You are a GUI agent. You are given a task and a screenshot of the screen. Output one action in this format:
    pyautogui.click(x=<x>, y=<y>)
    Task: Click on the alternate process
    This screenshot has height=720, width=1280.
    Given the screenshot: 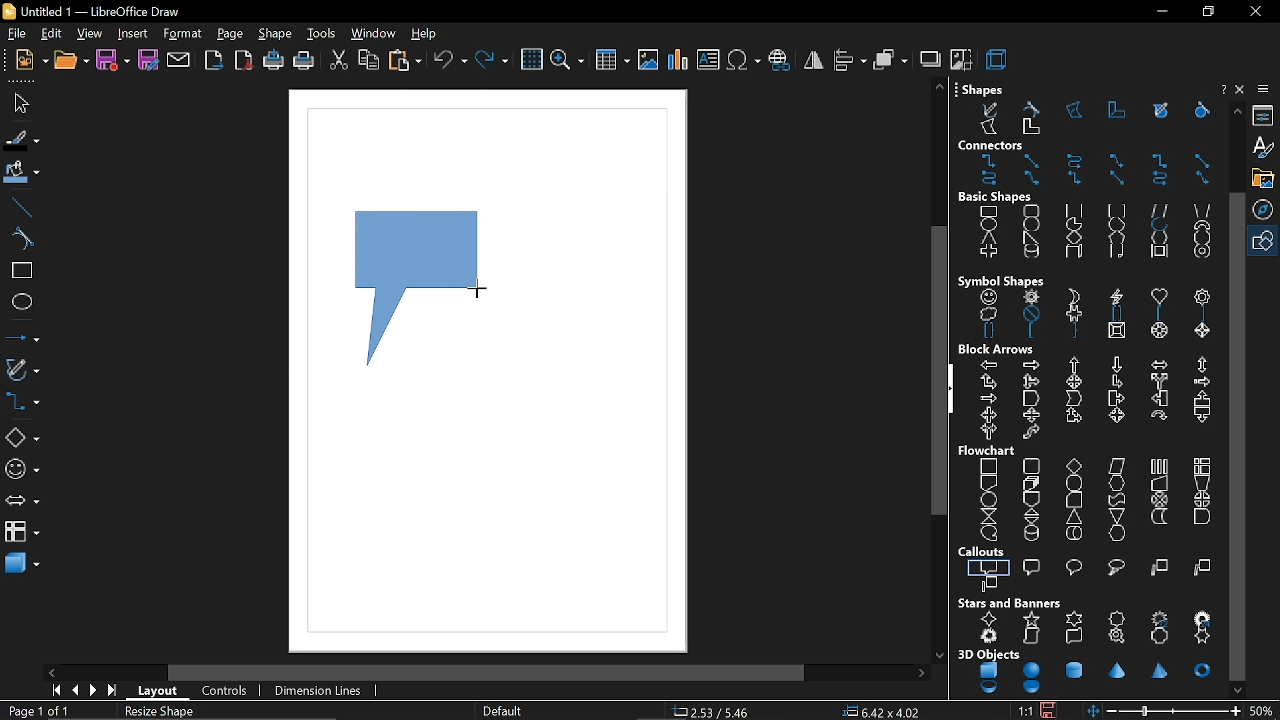 What is the action you would take?
    pyautogui.click(x=1029, y=465)
    